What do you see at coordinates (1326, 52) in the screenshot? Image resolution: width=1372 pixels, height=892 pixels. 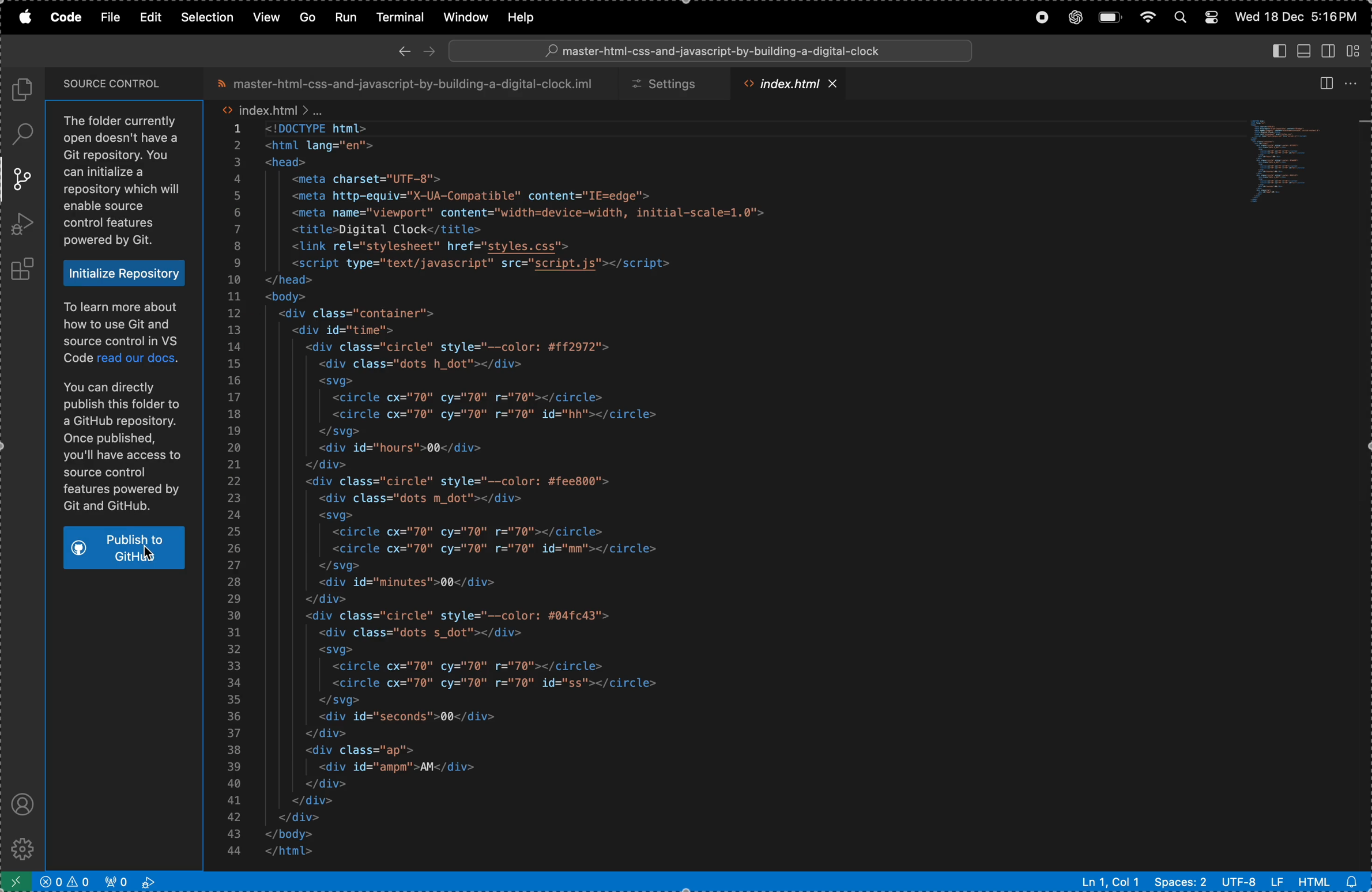 I see `secondary side bar` at bounding box center [1326, 52].